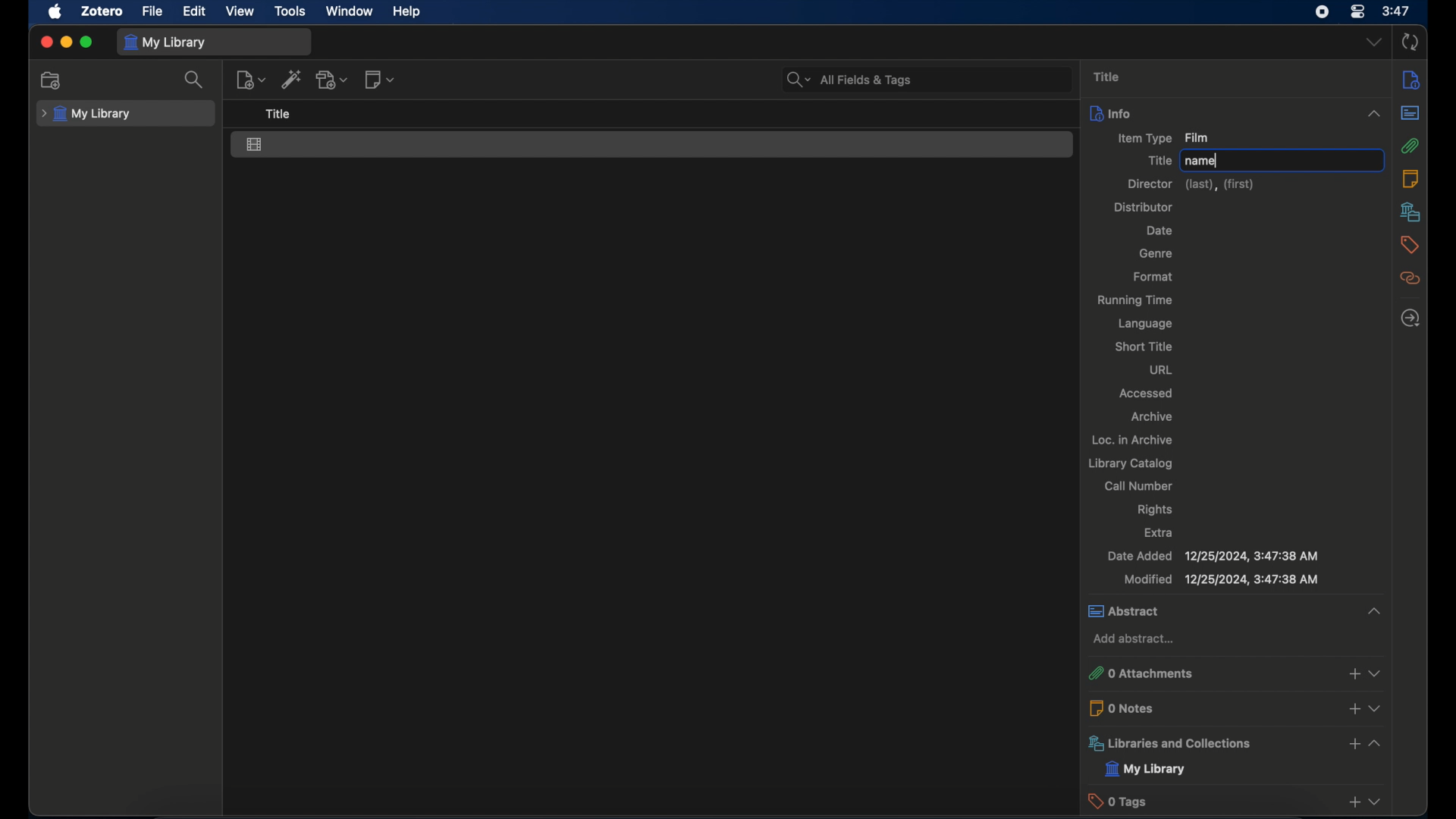  I want to click on info, so click(1414, 80).